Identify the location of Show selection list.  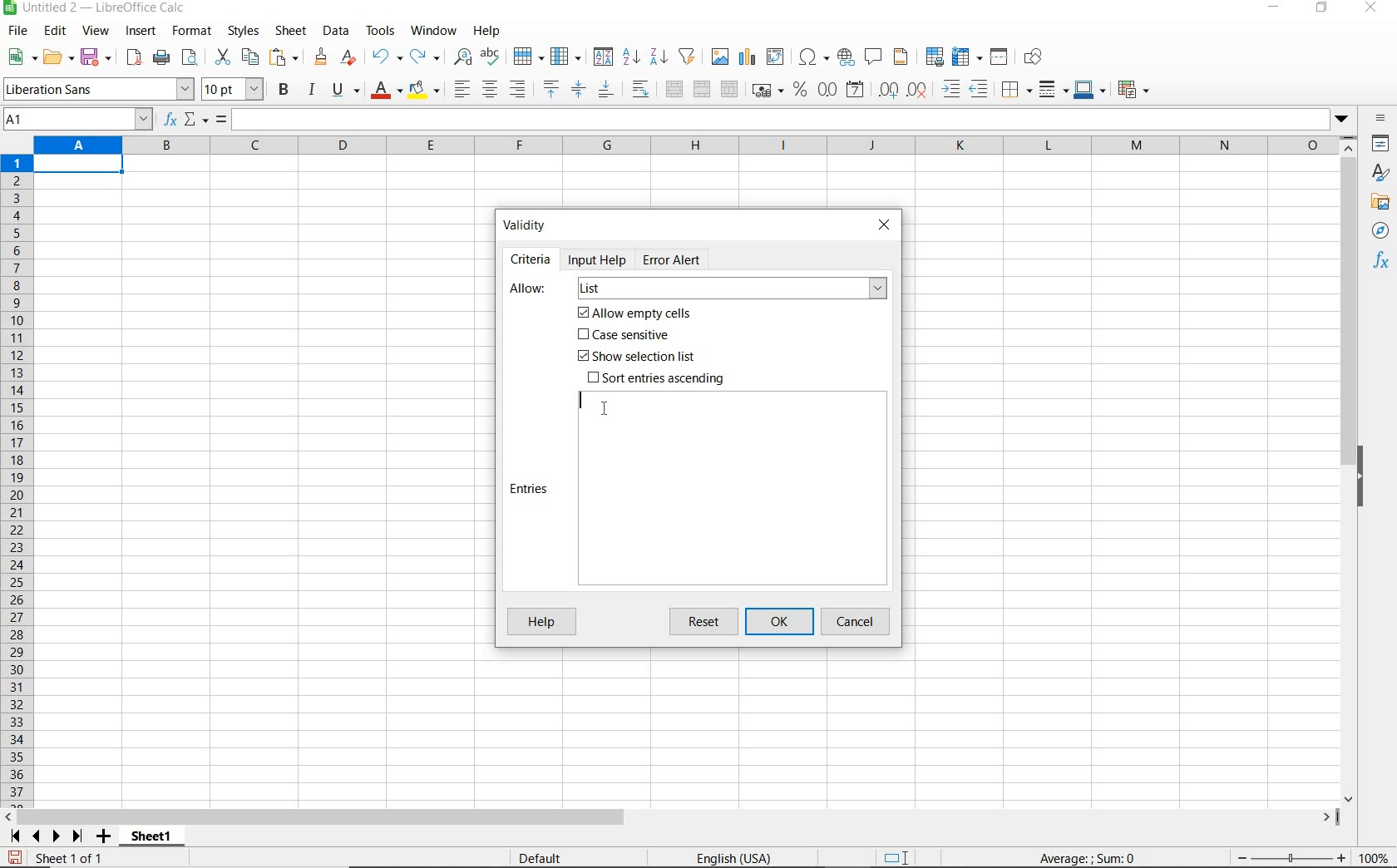
(634, 357).